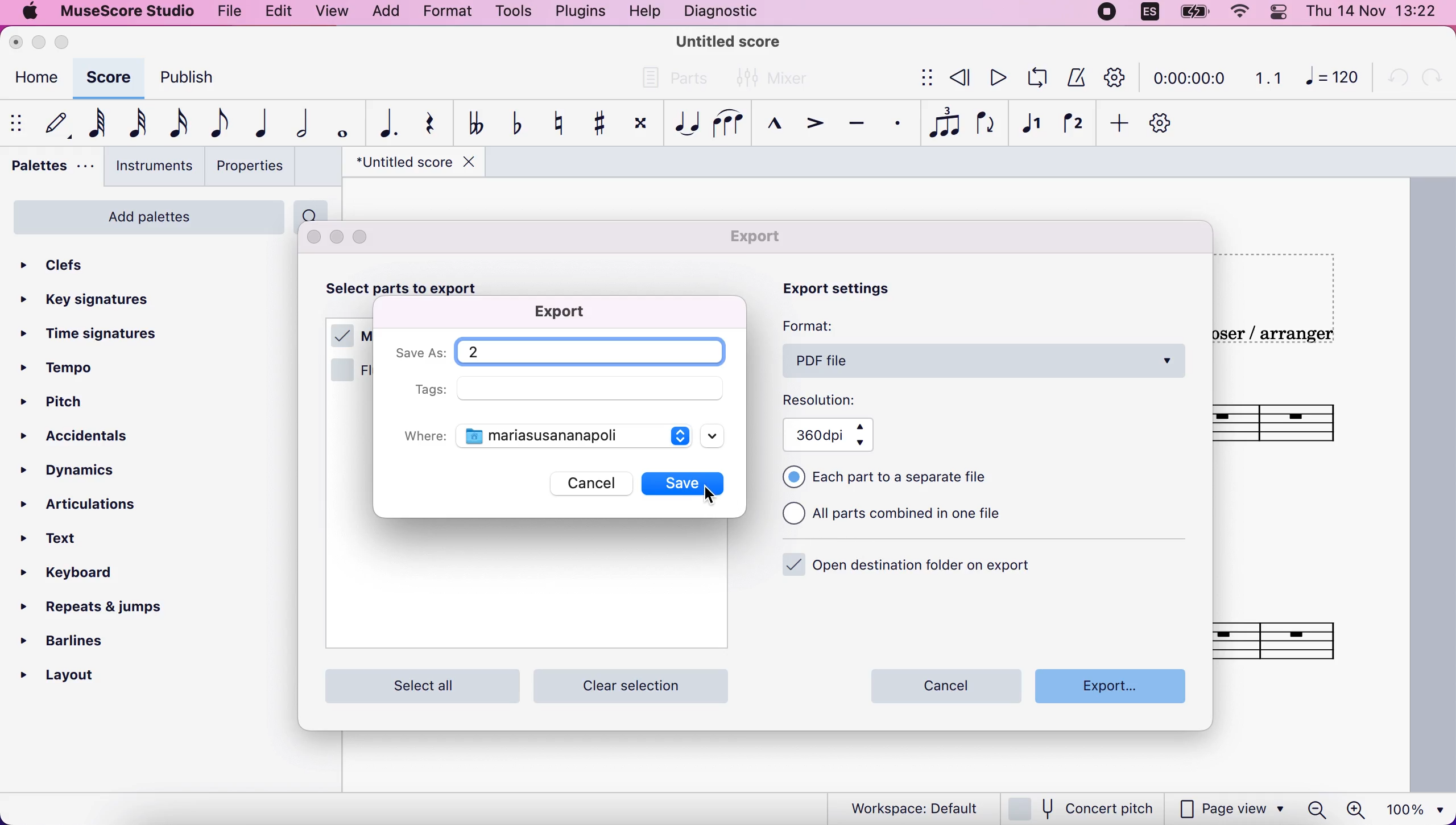 This screenshot has width=1456, height=825. What do you see at coordinates (946, 686) in the screenshot?
I see `cancel` at bounding box center [946, 686].